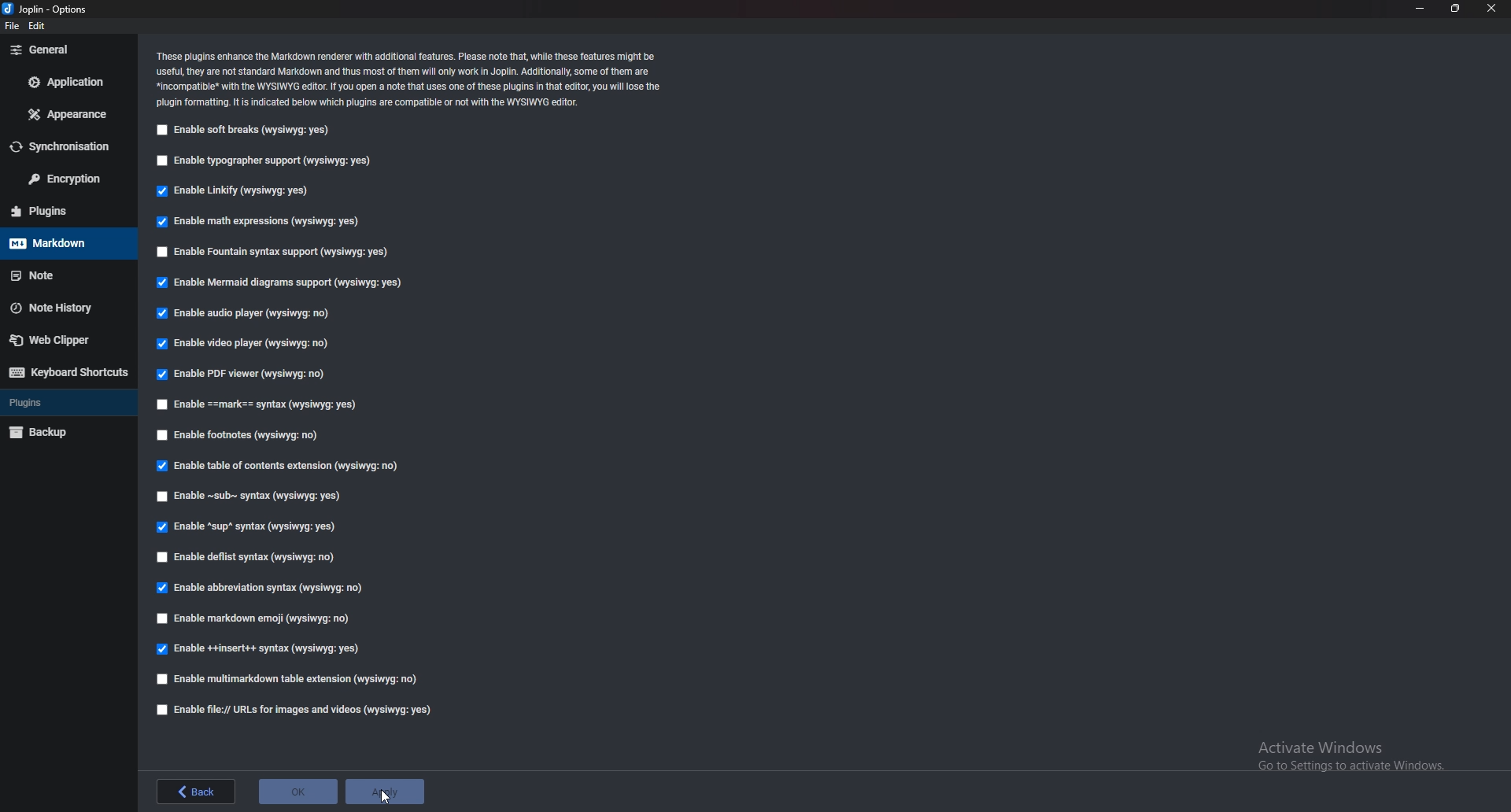 The height and width of the screenshot is (812, 1511). What do you see at coordinates (257, 220) in the screenshot?
I see `Enable math expressions` at bounding box center [257, 220].